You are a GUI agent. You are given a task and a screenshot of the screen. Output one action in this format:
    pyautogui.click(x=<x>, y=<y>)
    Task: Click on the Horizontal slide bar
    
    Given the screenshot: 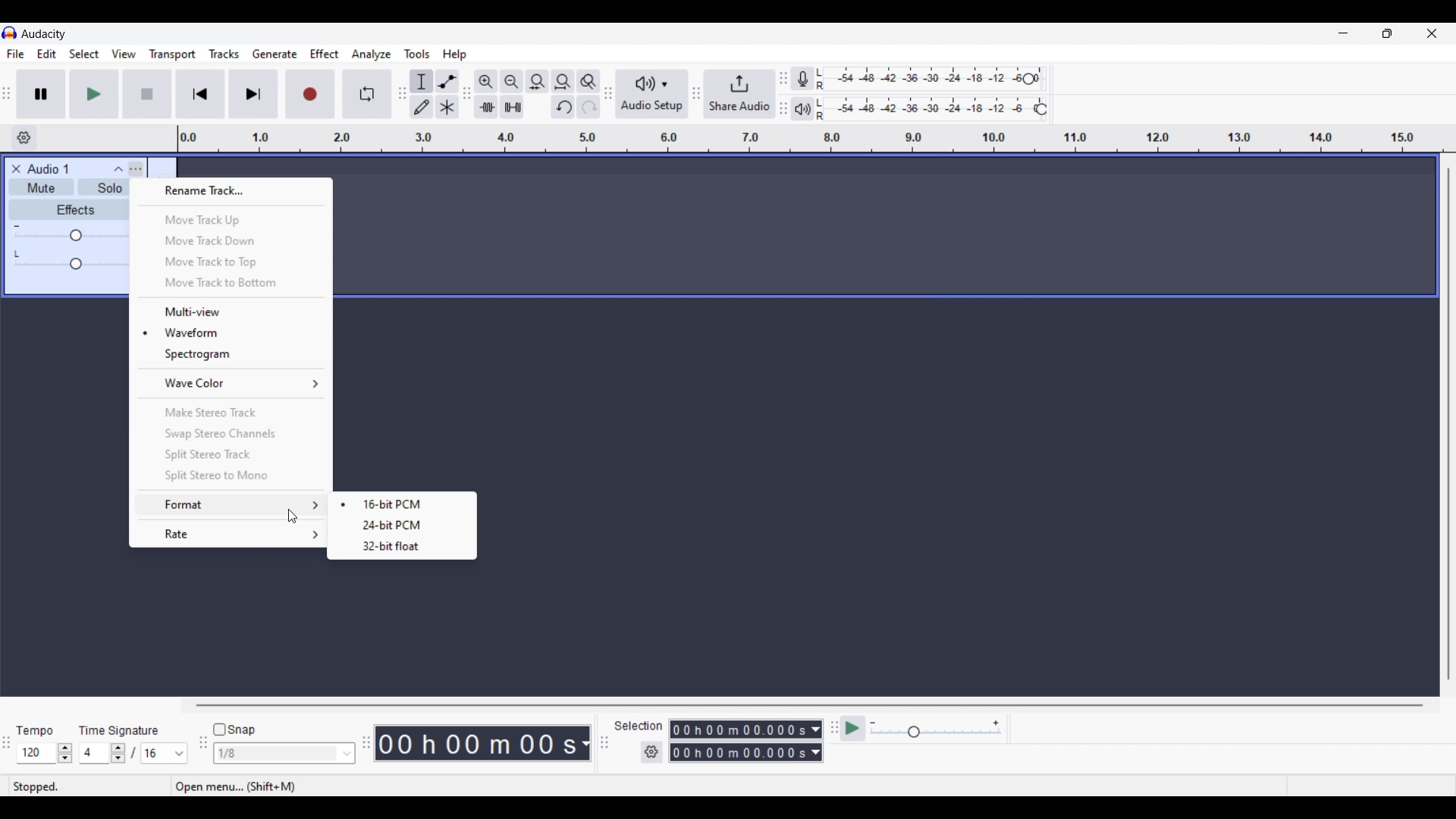 What is the action you would take?
    pyautogui.click(x=810, y=705)
    